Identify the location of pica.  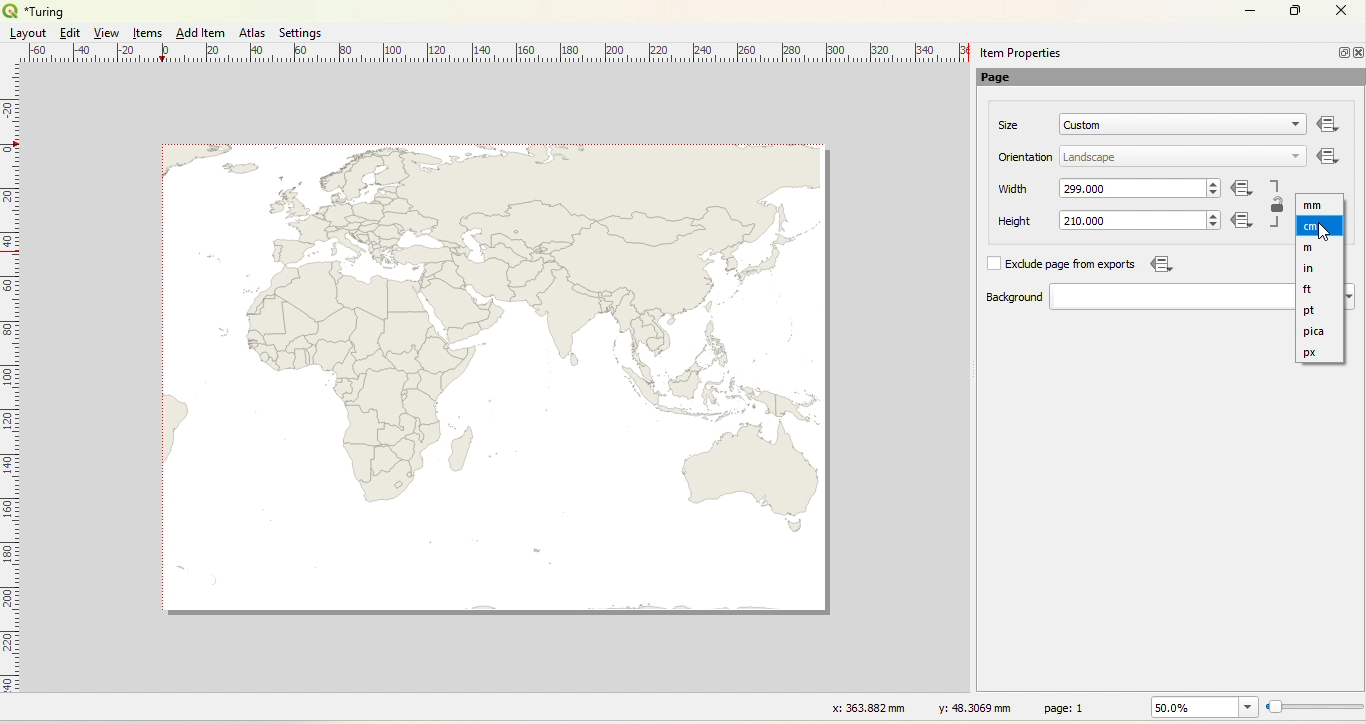
(1313, 334).